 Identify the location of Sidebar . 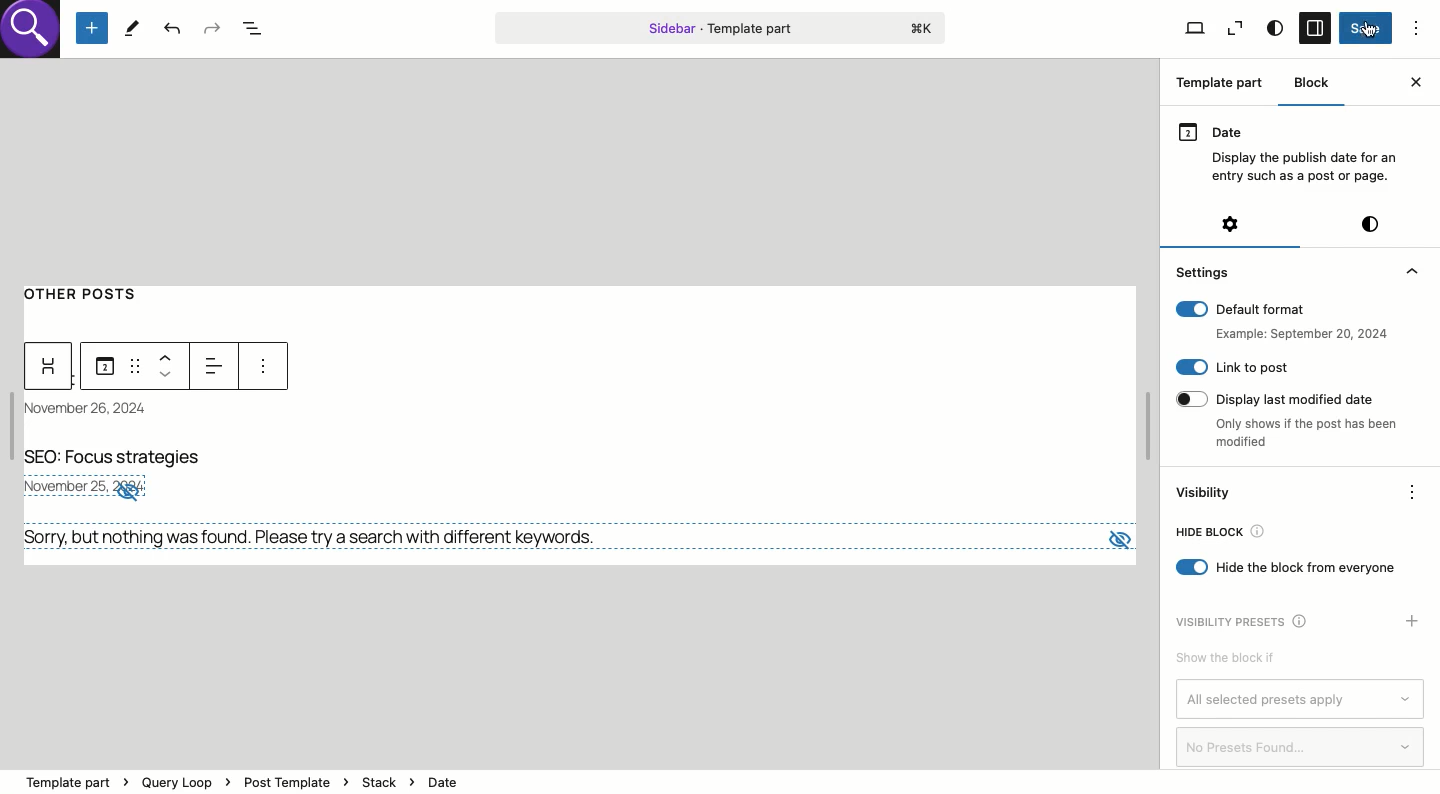
(1314, 29).